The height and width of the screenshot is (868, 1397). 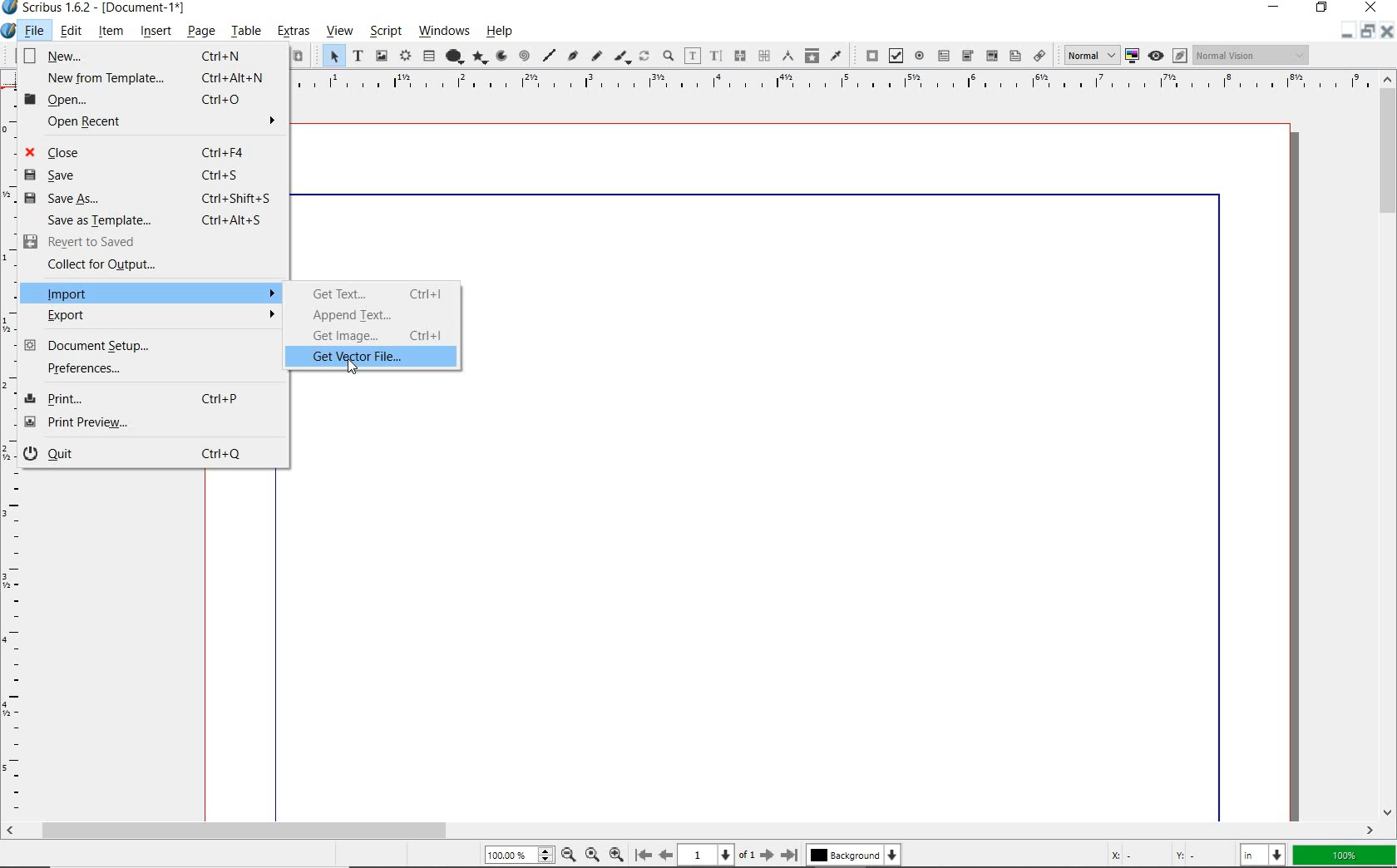 I want to click on extras, so click(x=293, y=31).